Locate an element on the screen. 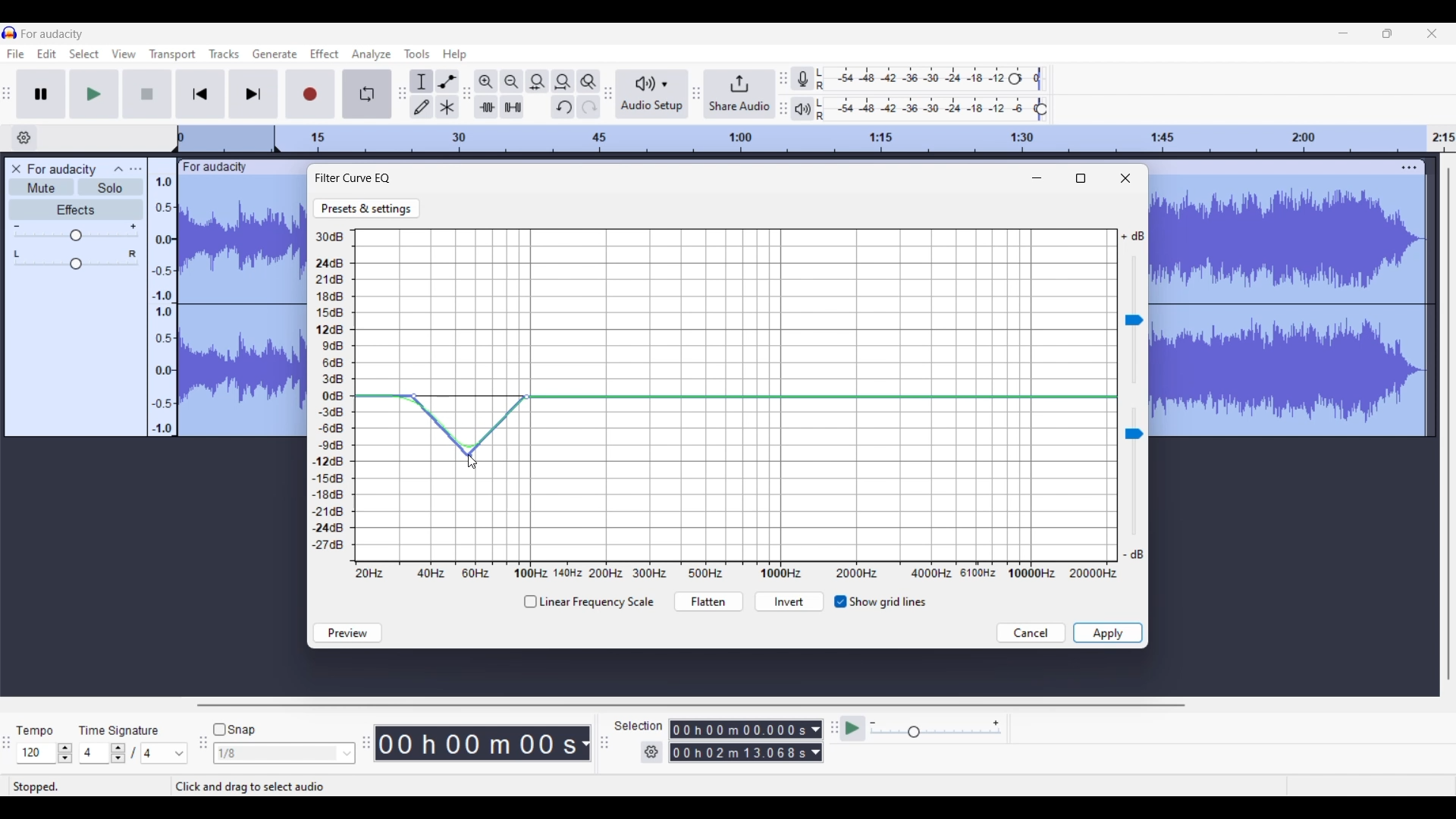 The width and height of the screenshot is (1456, 819). Close interface is located at coordinates (1432, 33).